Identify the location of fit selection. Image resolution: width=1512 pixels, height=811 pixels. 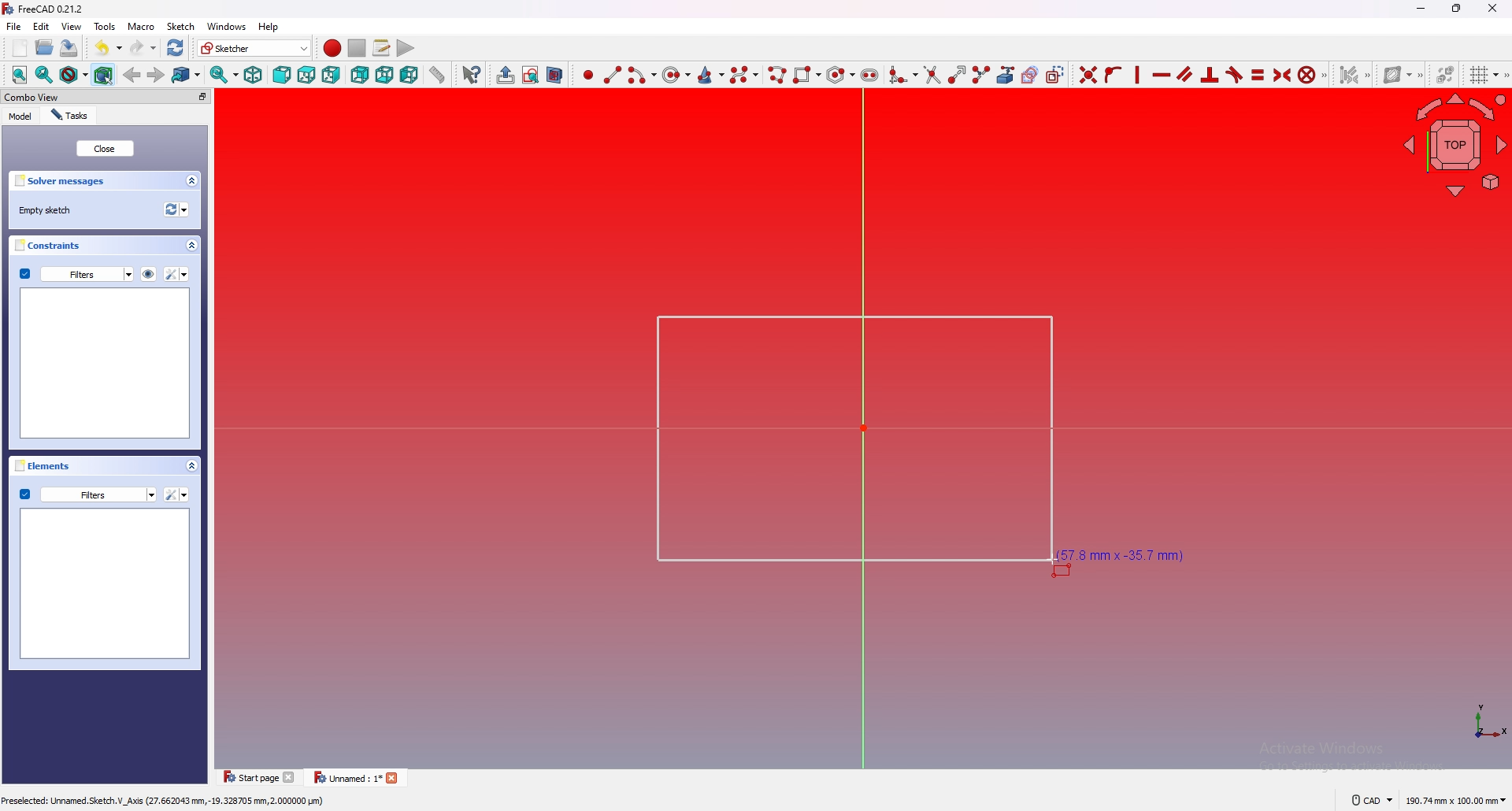
(44, 75).